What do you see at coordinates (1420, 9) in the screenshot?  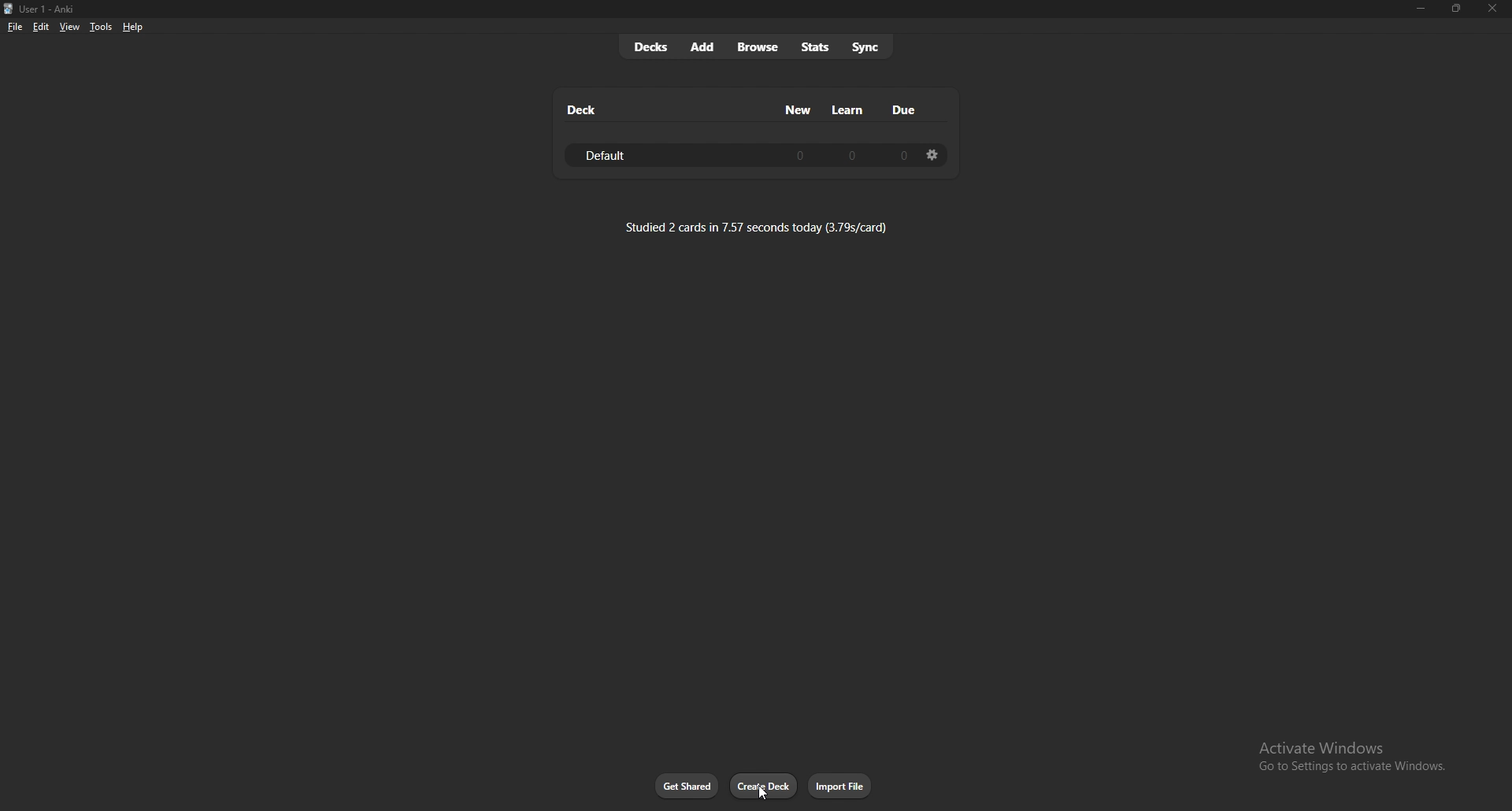 I see `minimize` at bounding box center [1420, 9].